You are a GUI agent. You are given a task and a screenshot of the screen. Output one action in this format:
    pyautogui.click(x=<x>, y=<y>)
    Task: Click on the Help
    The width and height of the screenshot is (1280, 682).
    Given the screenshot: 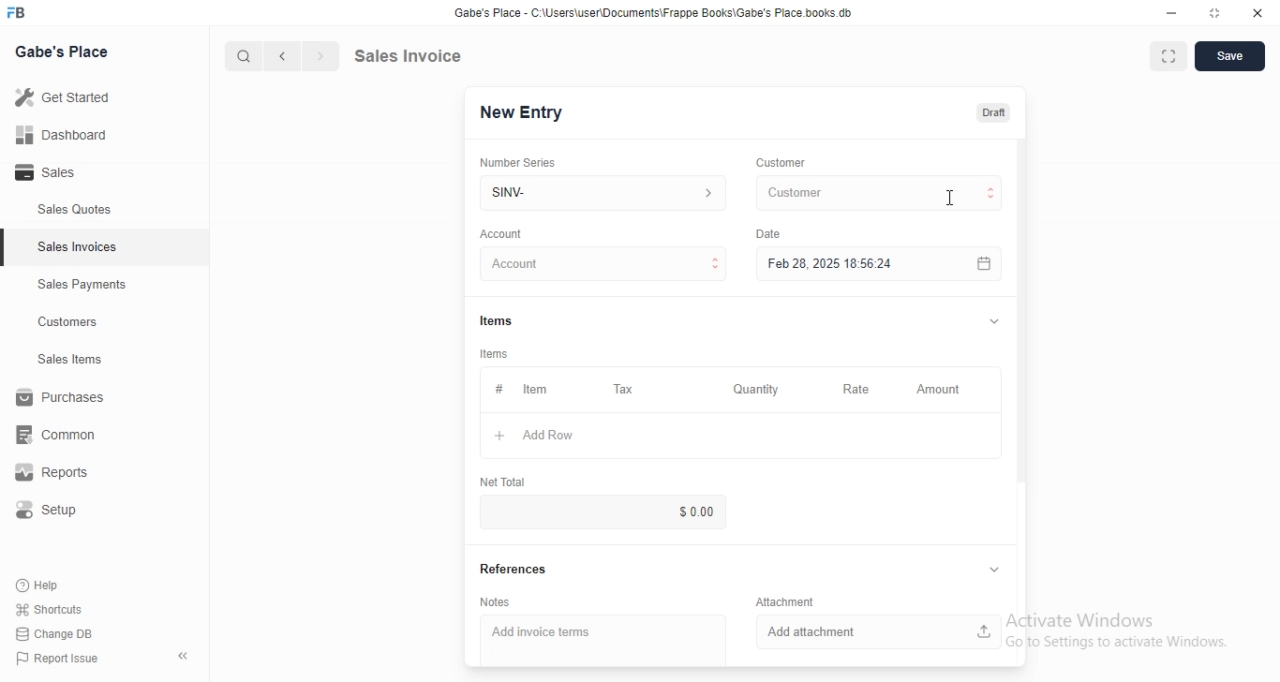 What is the action you would take?
    pyautogui.click(x=57, y=584)
    